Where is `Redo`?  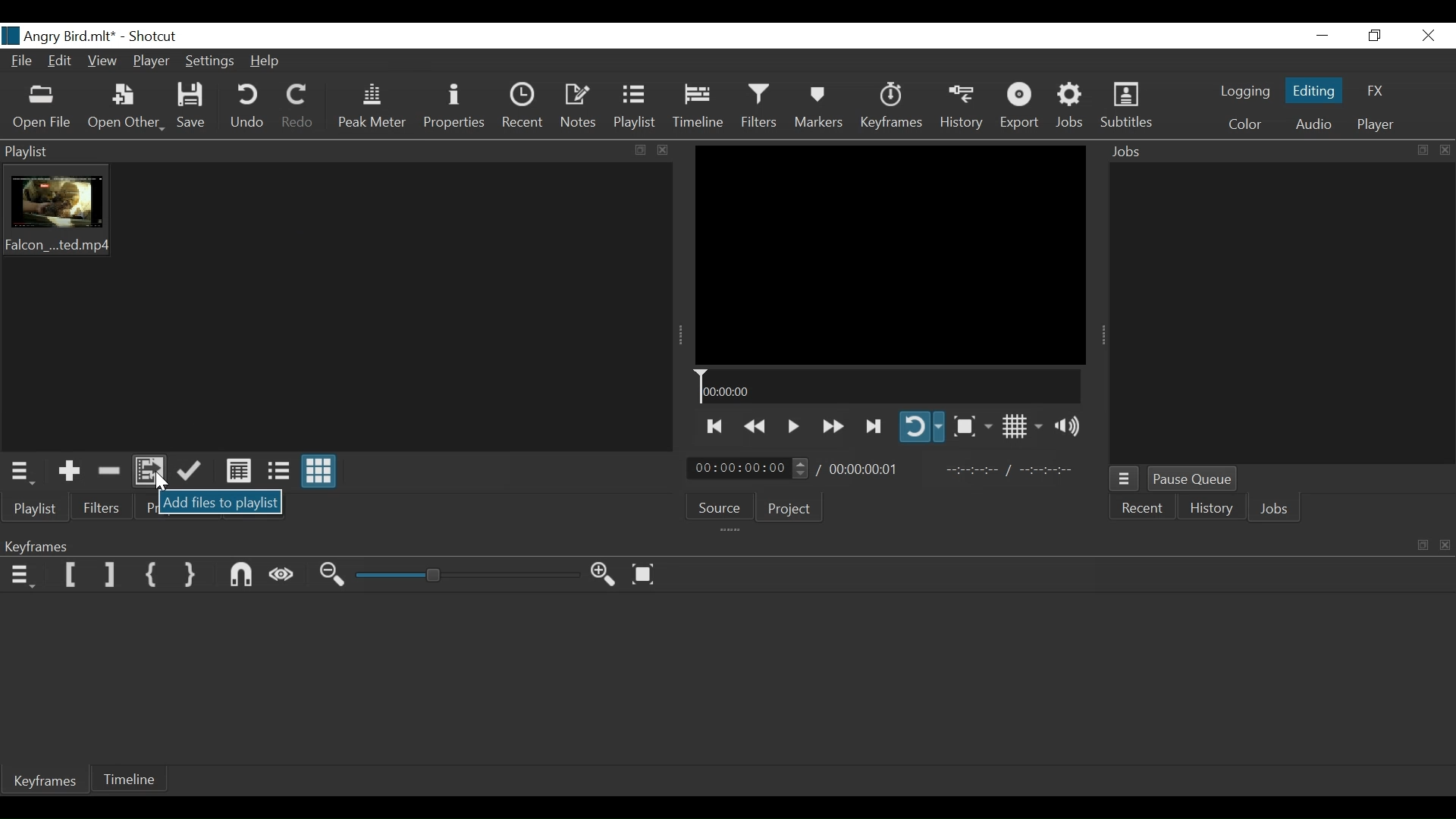
Redo is located at coordinates (301, 108).